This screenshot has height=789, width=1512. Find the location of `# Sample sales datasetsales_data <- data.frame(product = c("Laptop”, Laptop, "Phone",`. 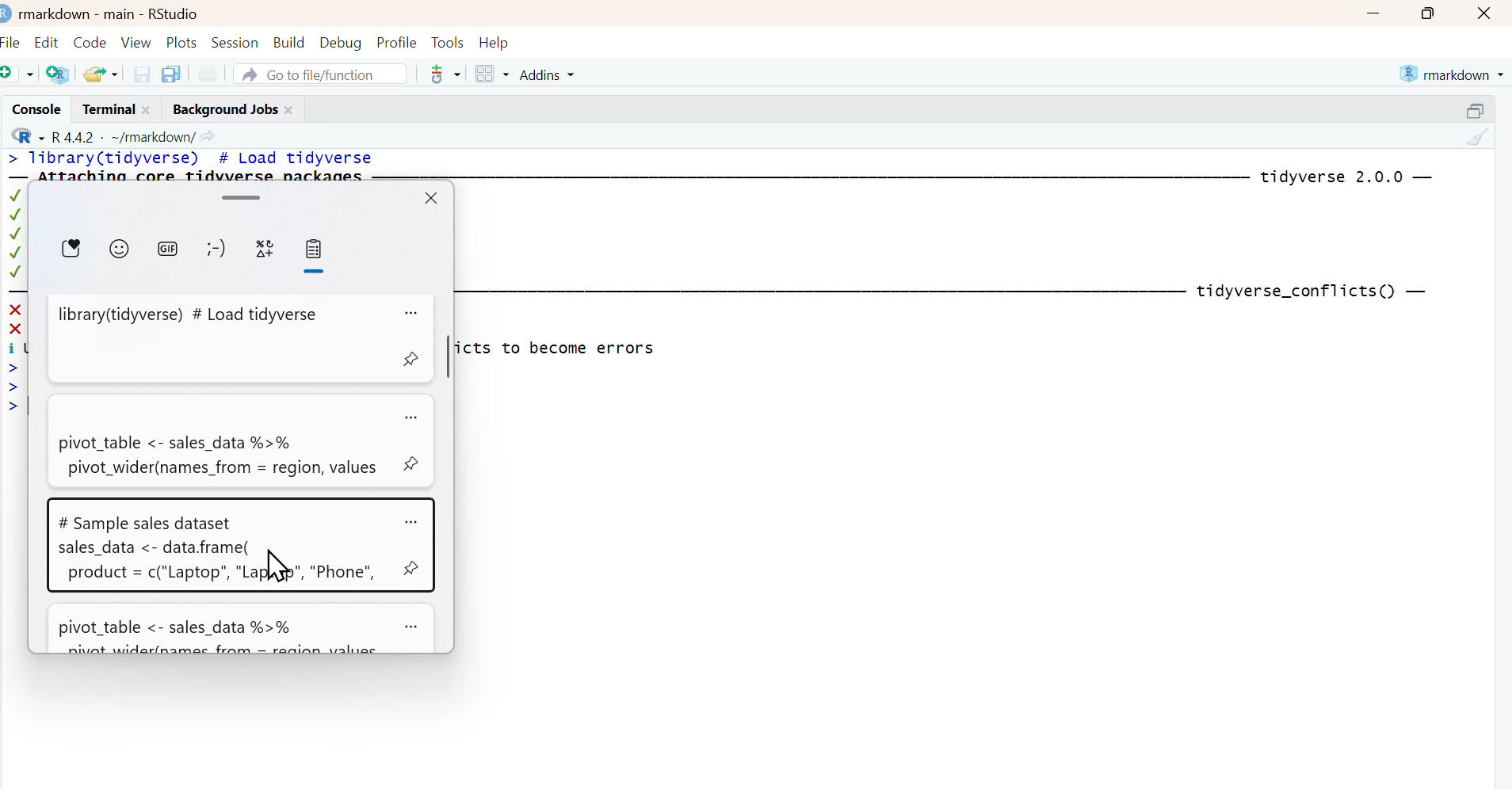

# Sample sales datasetsales_data <- data.frame(product = c("Laptop”, Laptop, "Phone", is located at coordinates (222, 544).